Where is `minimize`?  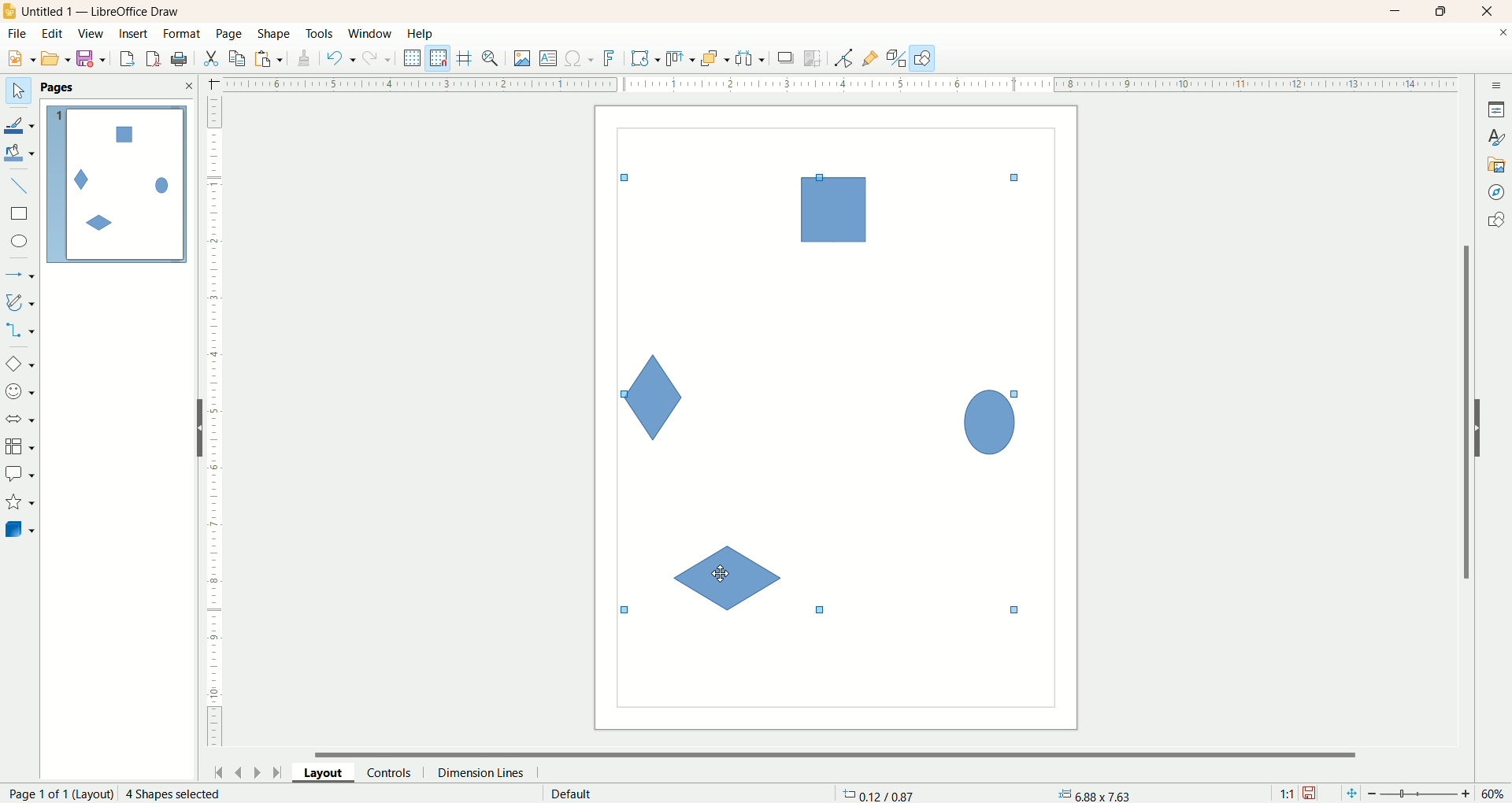 minimize is located at coordinates (1396, 11).